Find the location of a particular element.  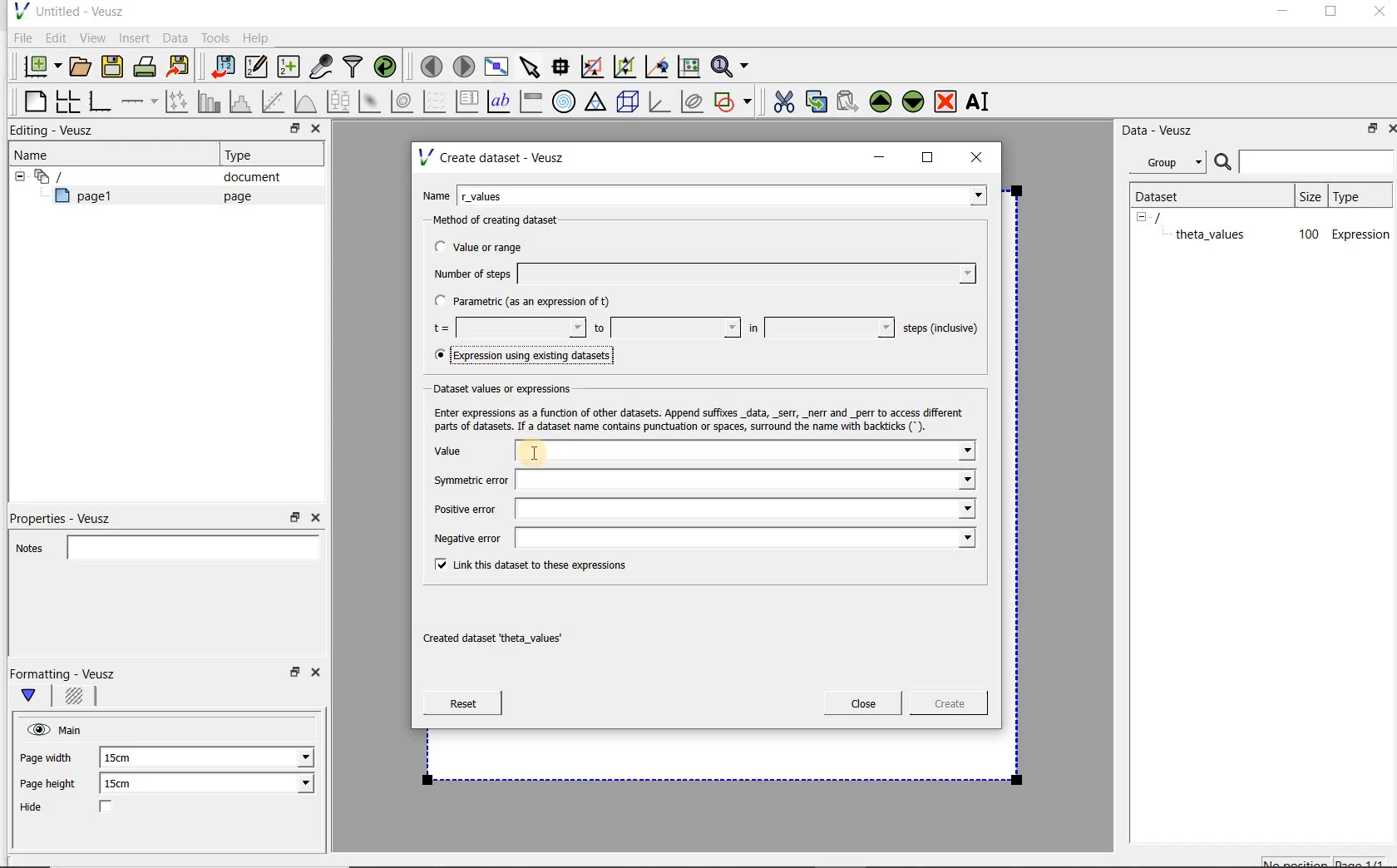

Symmetric error is located at coordinates (700, 481).